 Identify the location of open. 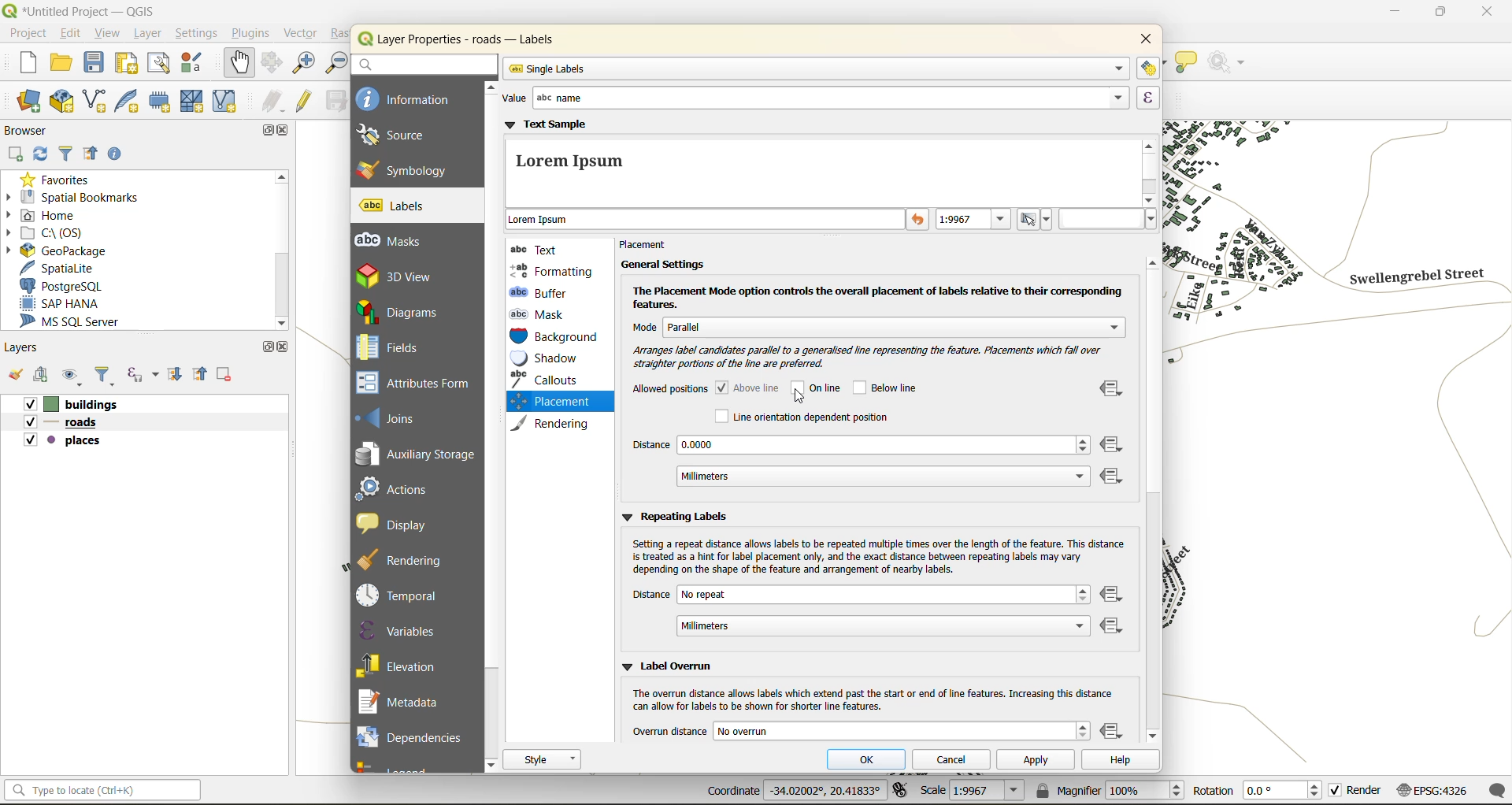
(13, 373).